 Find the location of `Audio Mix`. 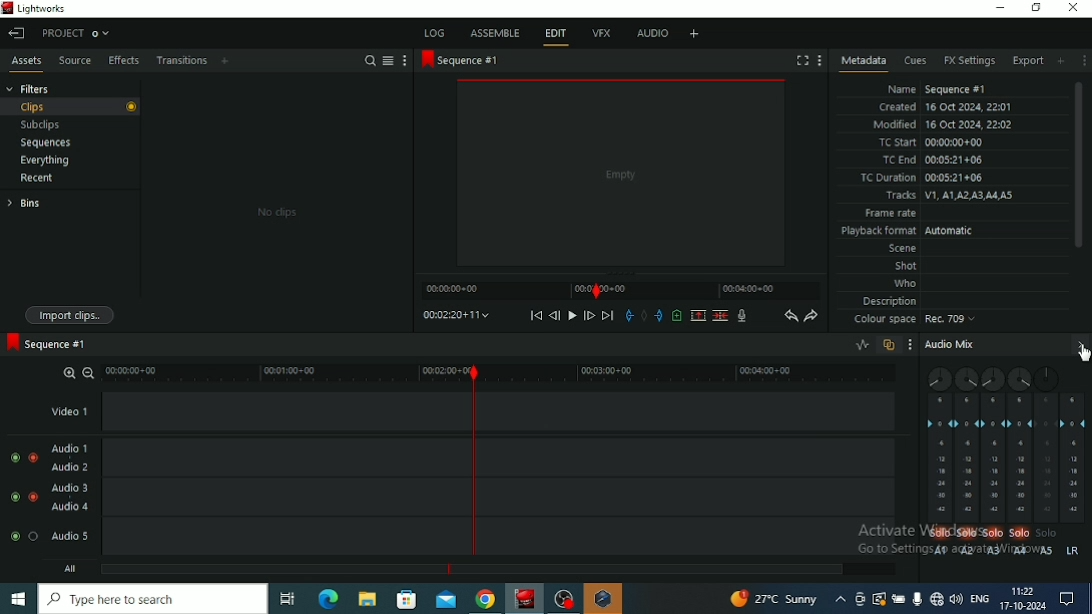

Audio Mix is located at coordinates (1008, 345).